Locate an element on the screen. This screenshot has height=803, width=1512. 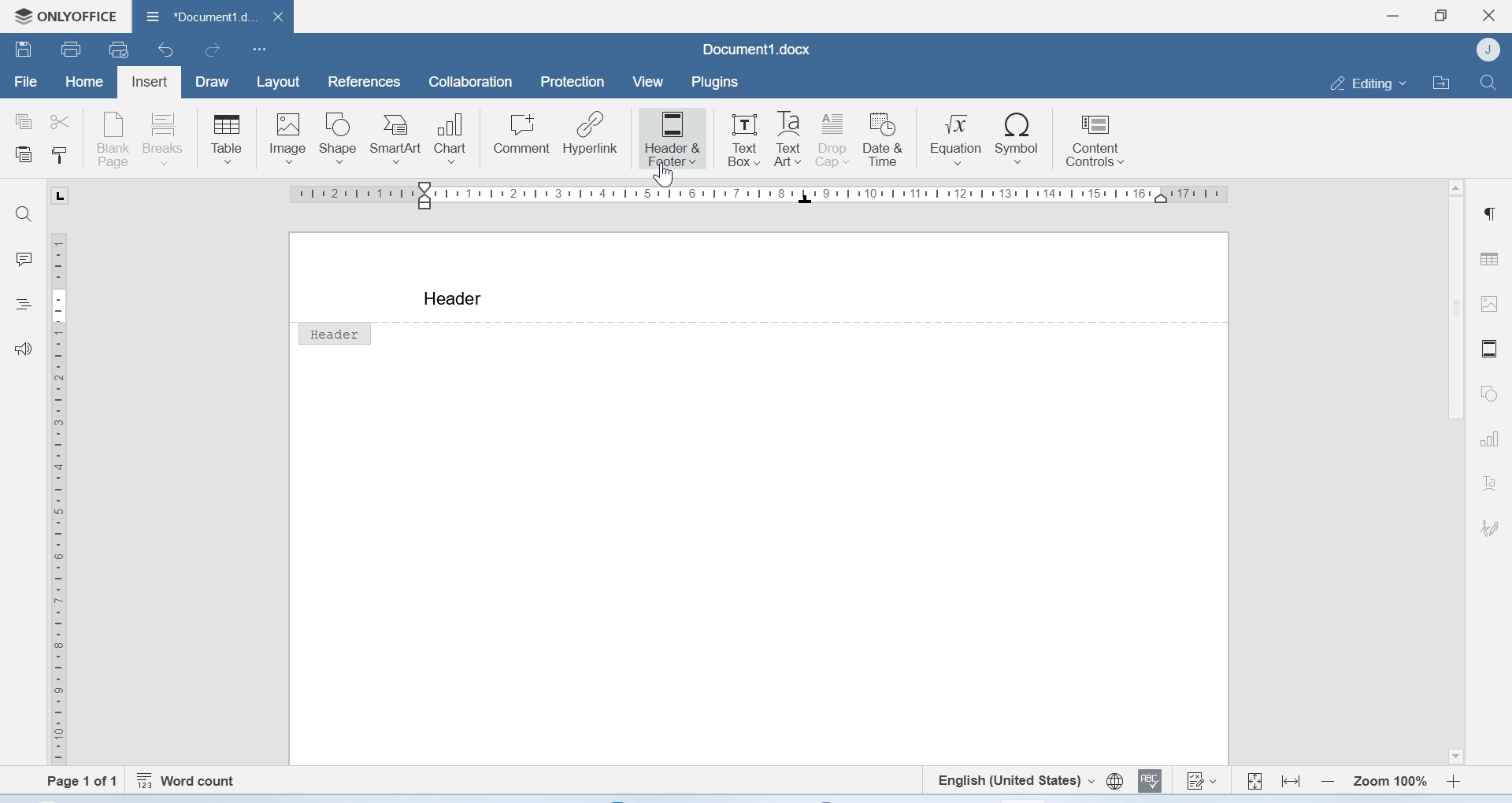
Word count is located at coordinates (190, 778).